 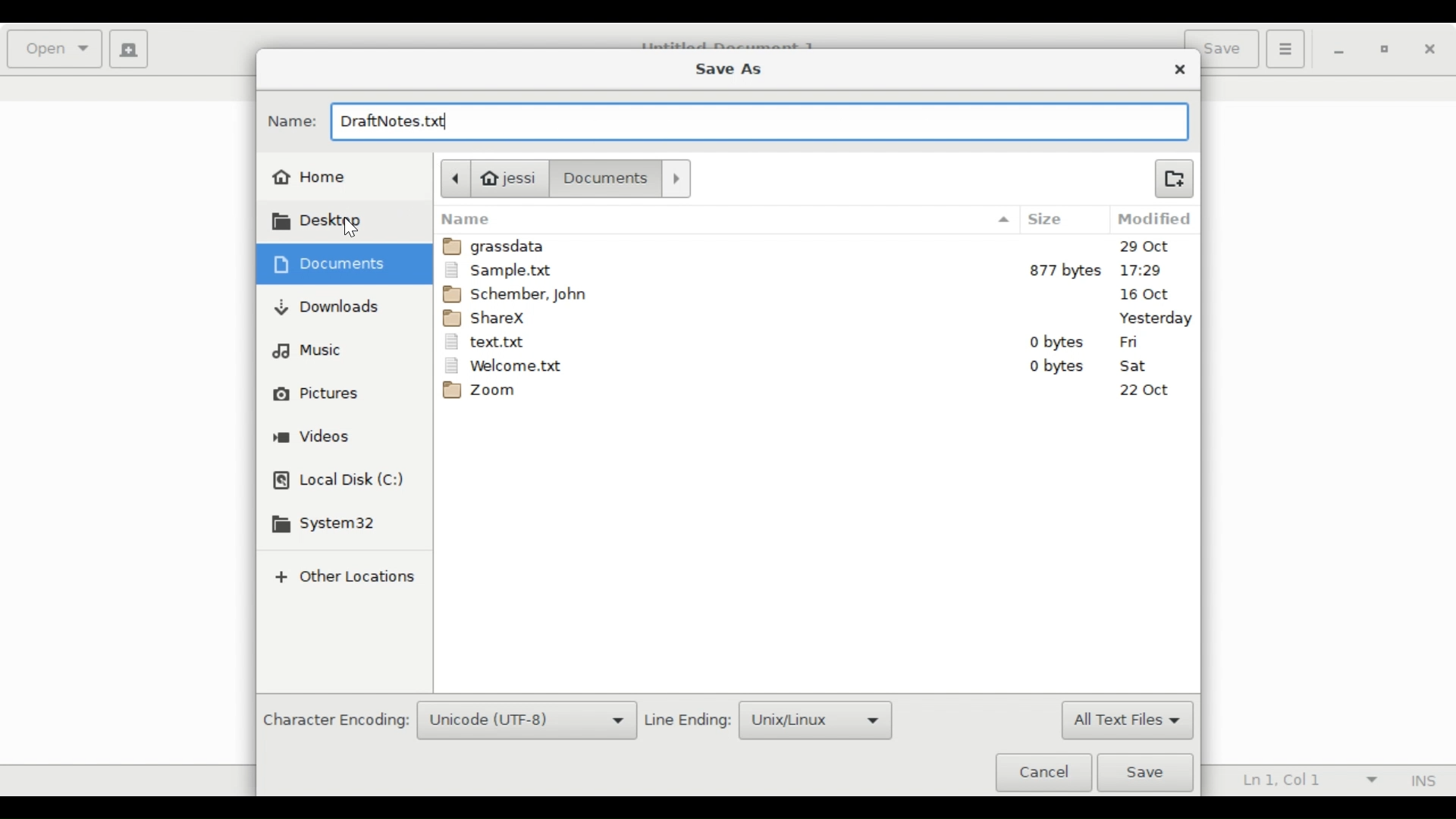 I want to click on text.txt 0 bytes Fri, so click(x=815, y=342).